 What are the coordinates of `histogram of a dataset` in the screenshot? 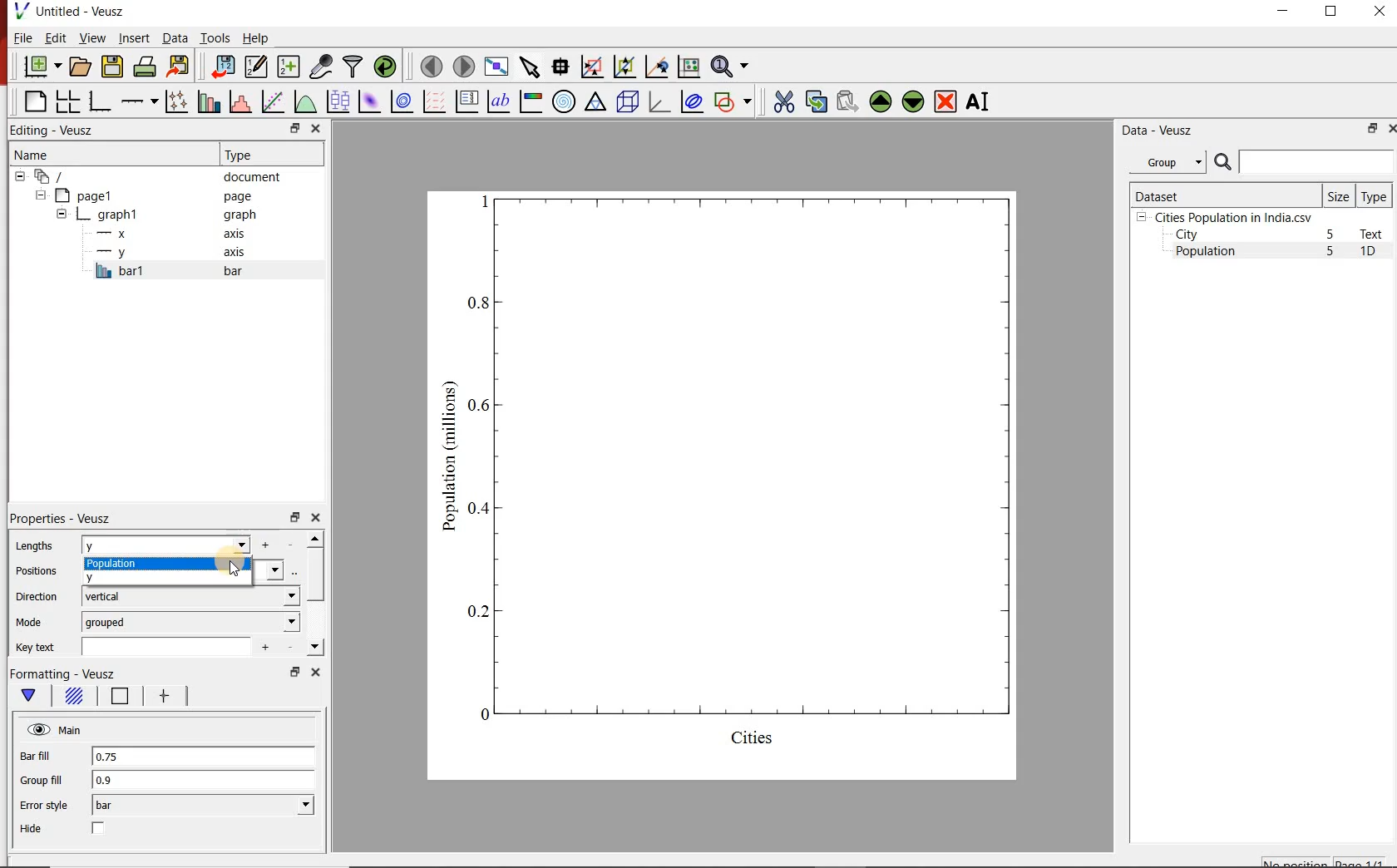 It's located at (238, 101).